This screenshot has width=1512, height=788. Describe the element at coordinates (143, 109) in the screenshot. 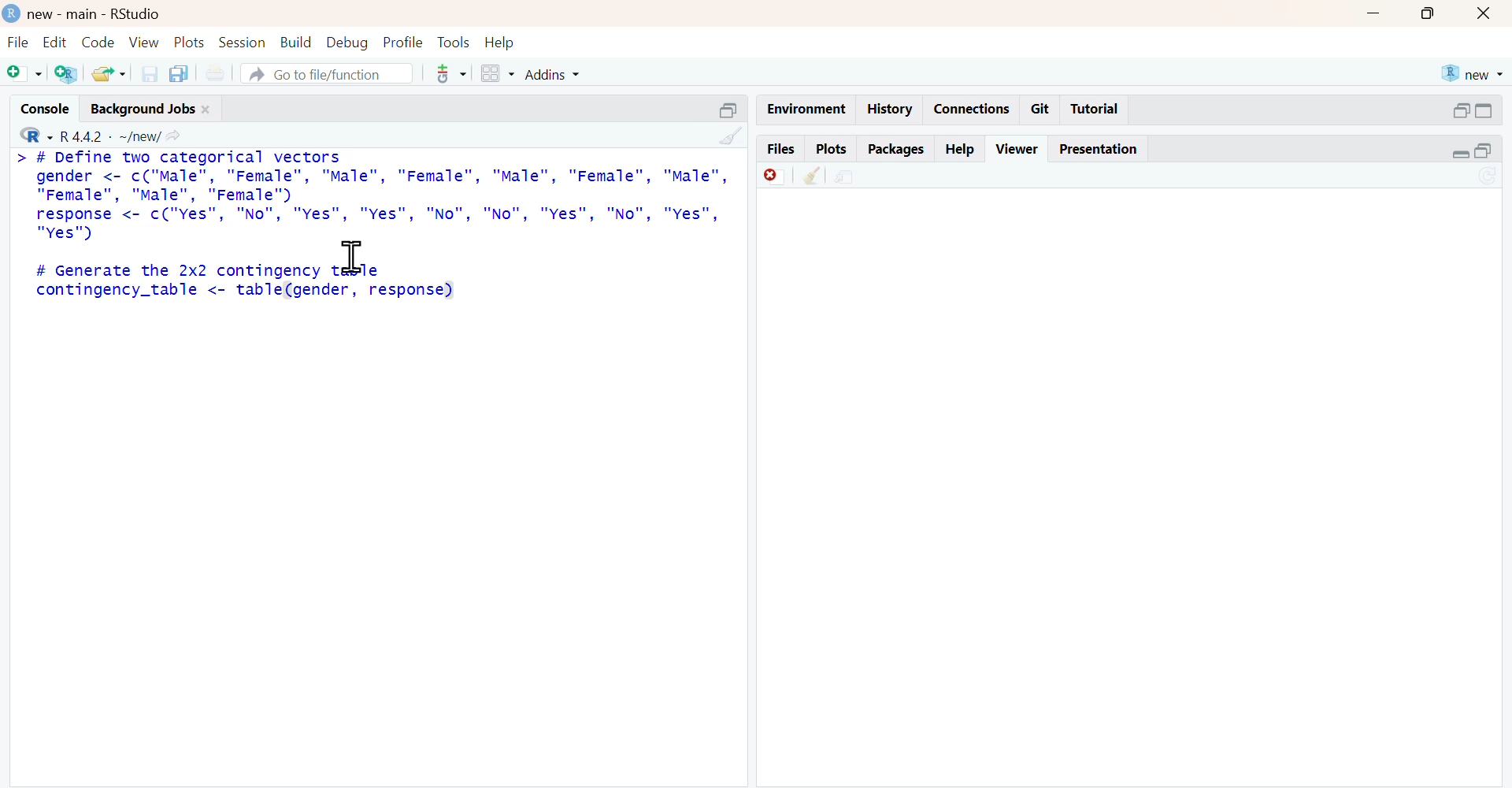

I see `background jobs` at that location.